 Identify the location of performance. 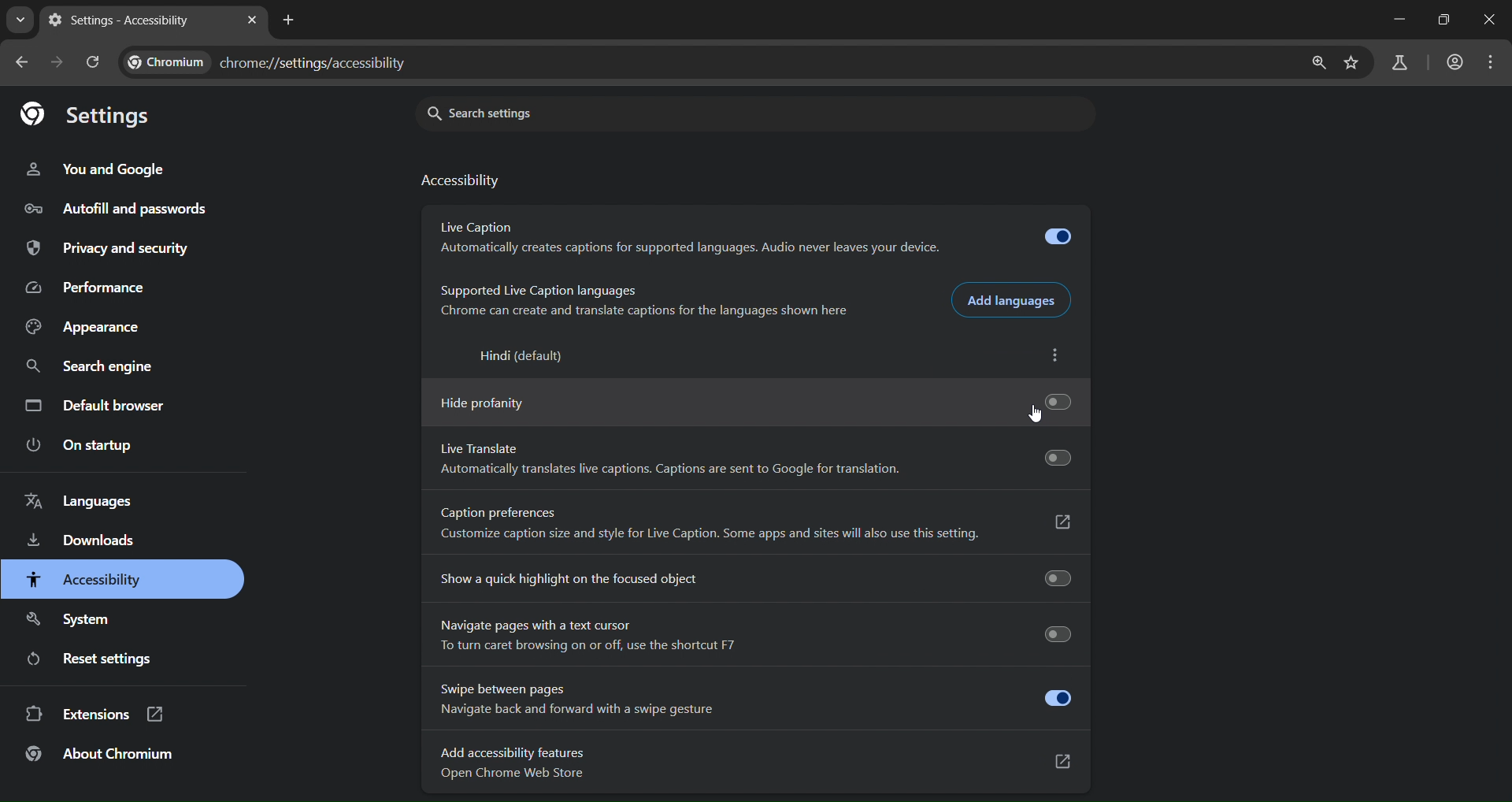
(93, 288).